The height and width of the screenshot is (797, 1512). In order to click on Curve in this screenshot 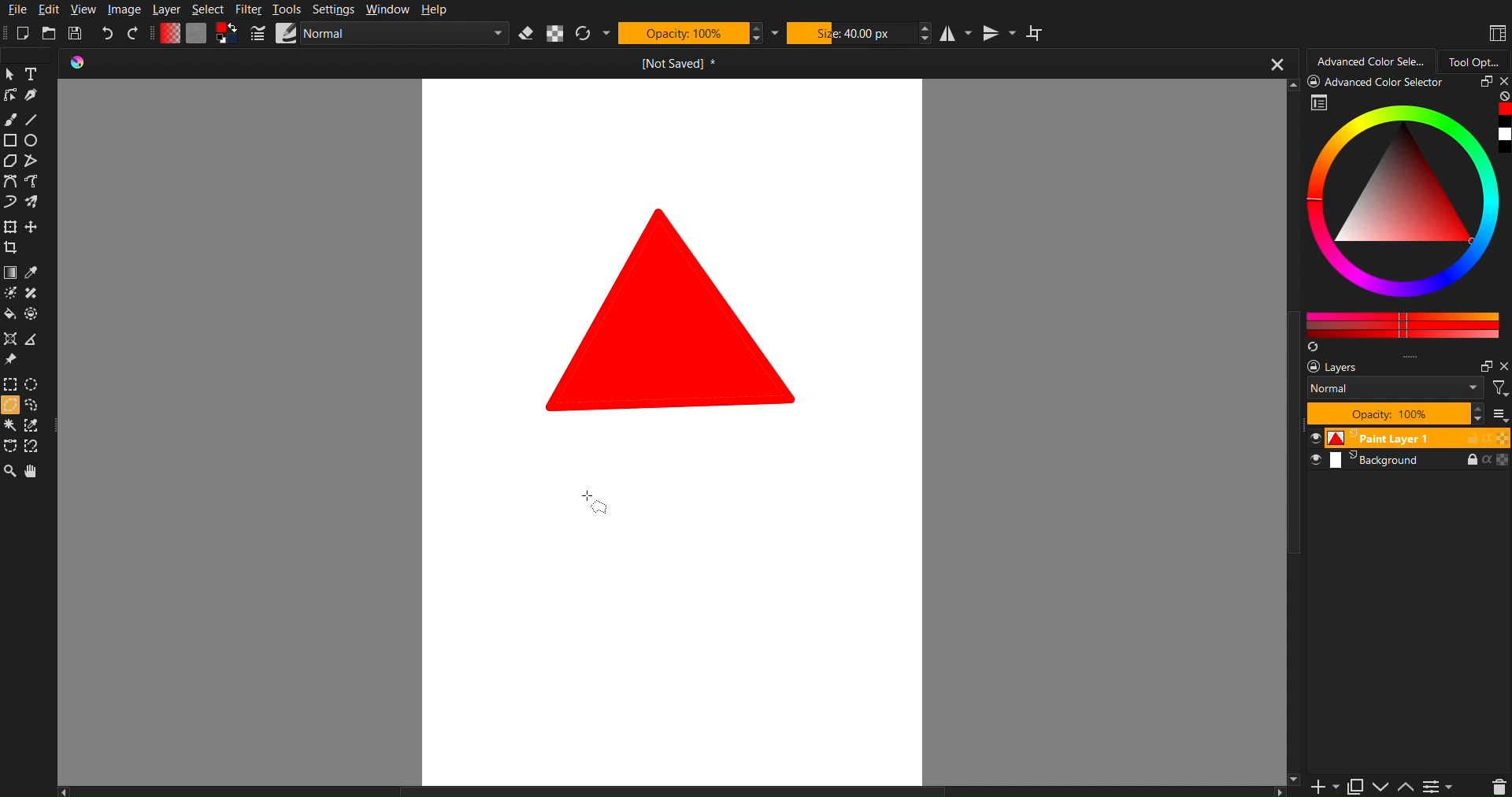, I will do `click(9, 204)`.